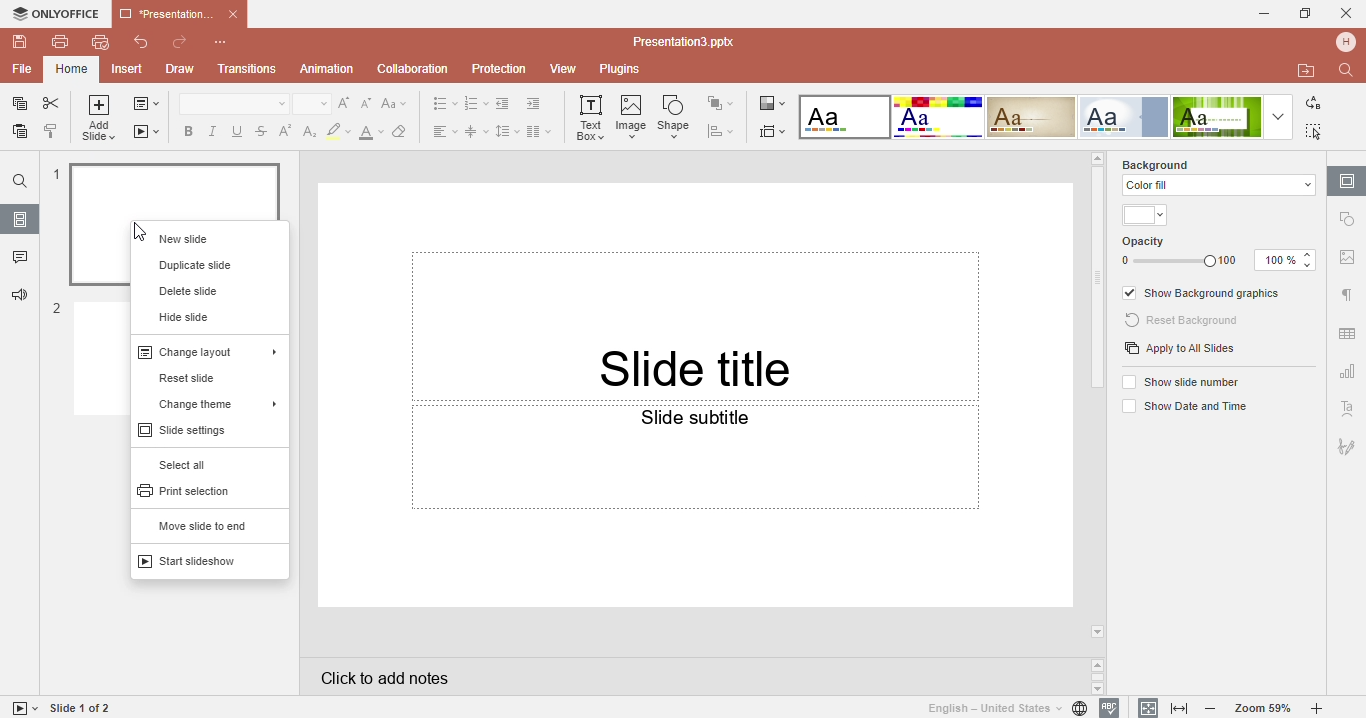 The image size is (1366, 718). I want to click on Undo, so click(134, 44).